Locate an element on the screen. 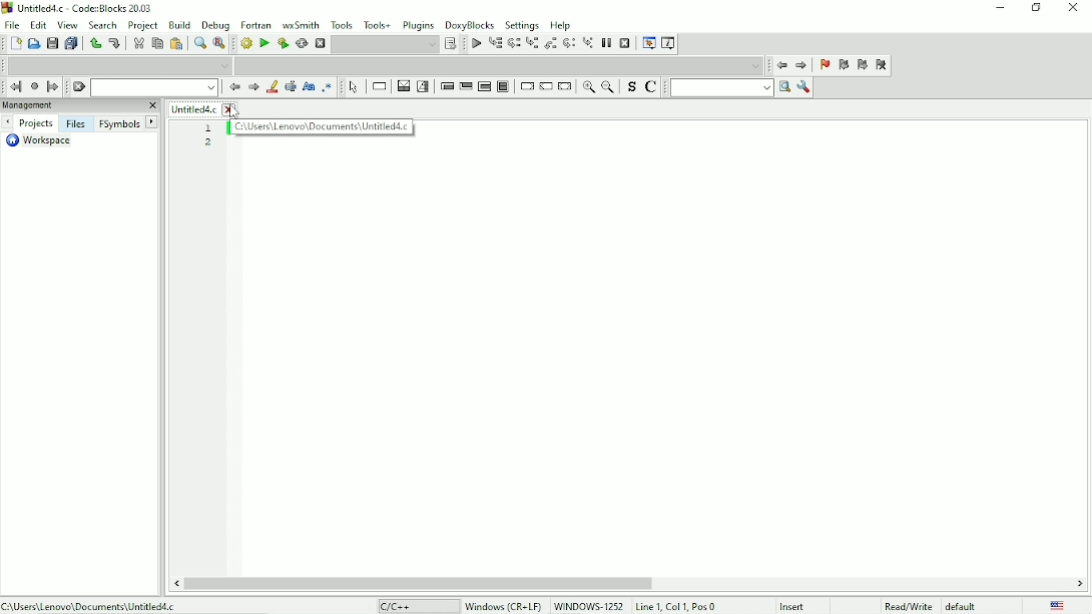 The width and height of the screenshot is (1092, 614). FSymbols is located at coordinates (120, 124).